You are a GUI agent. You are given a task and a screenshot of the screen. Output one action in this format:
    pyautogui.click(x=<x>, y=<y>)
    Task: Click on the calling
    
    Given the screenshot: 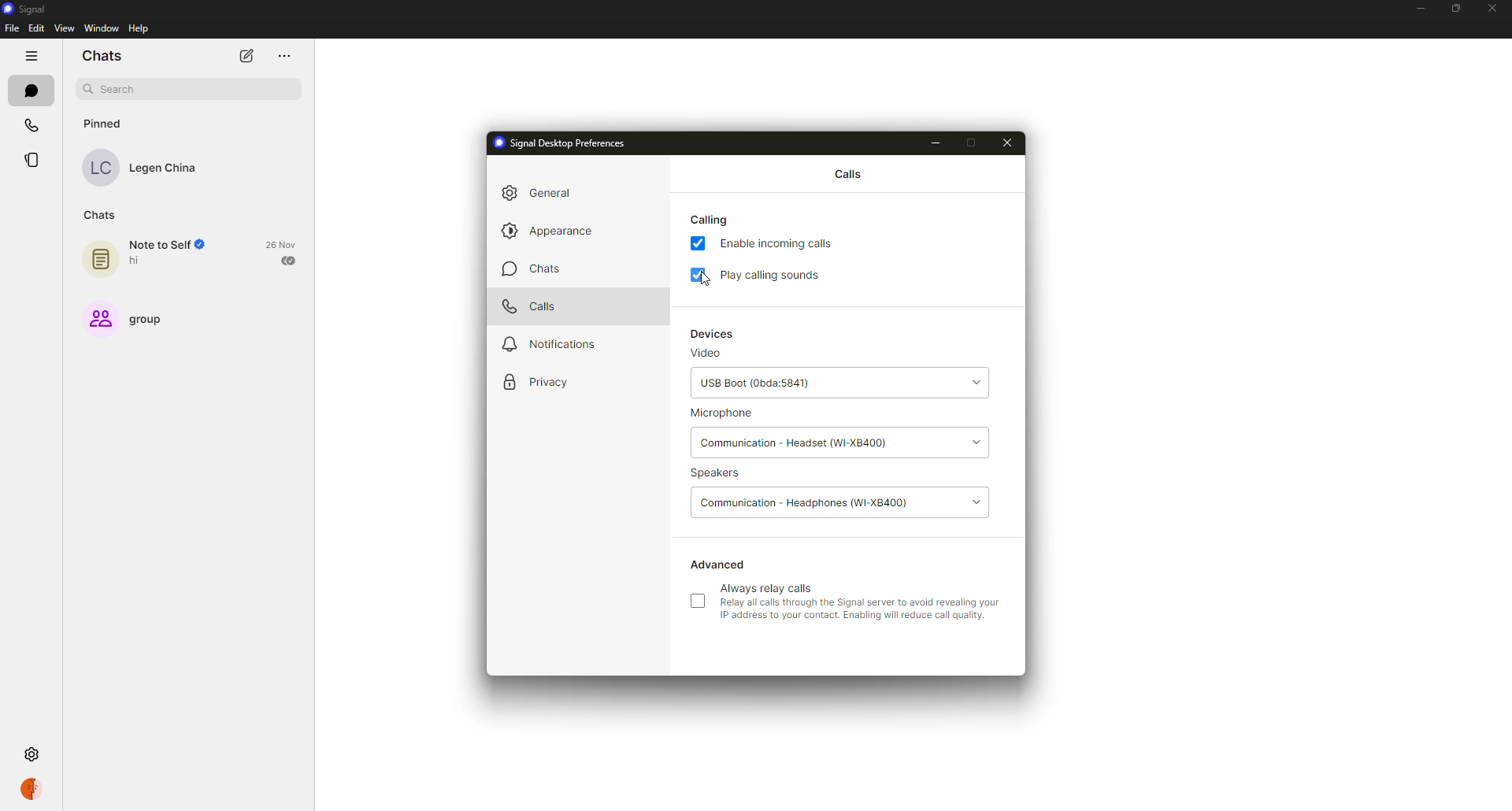 What is the action you would take?
    pyautogui.click(x=710, y=220)
    